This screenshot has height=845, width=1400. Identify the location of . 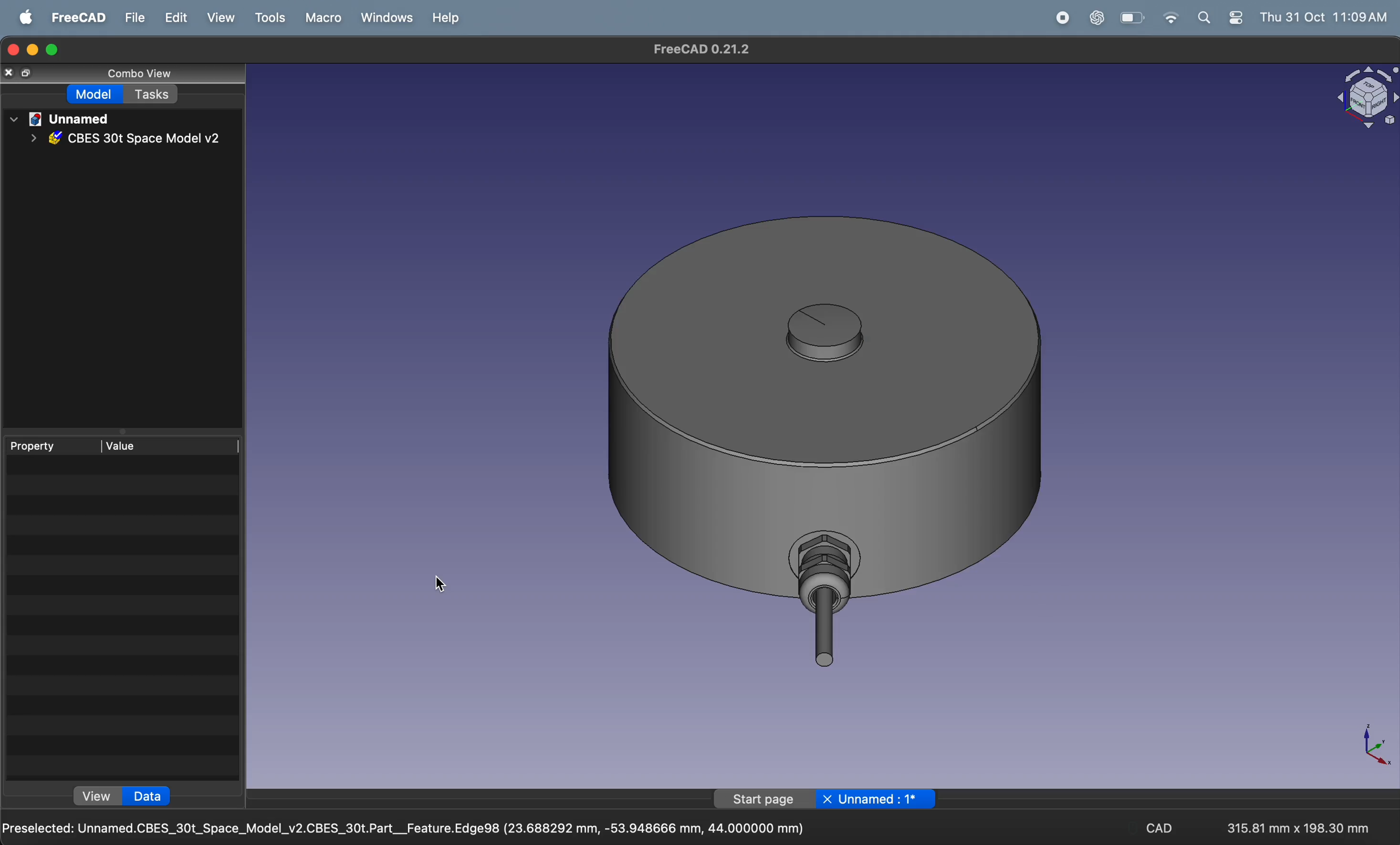
(827, 800).